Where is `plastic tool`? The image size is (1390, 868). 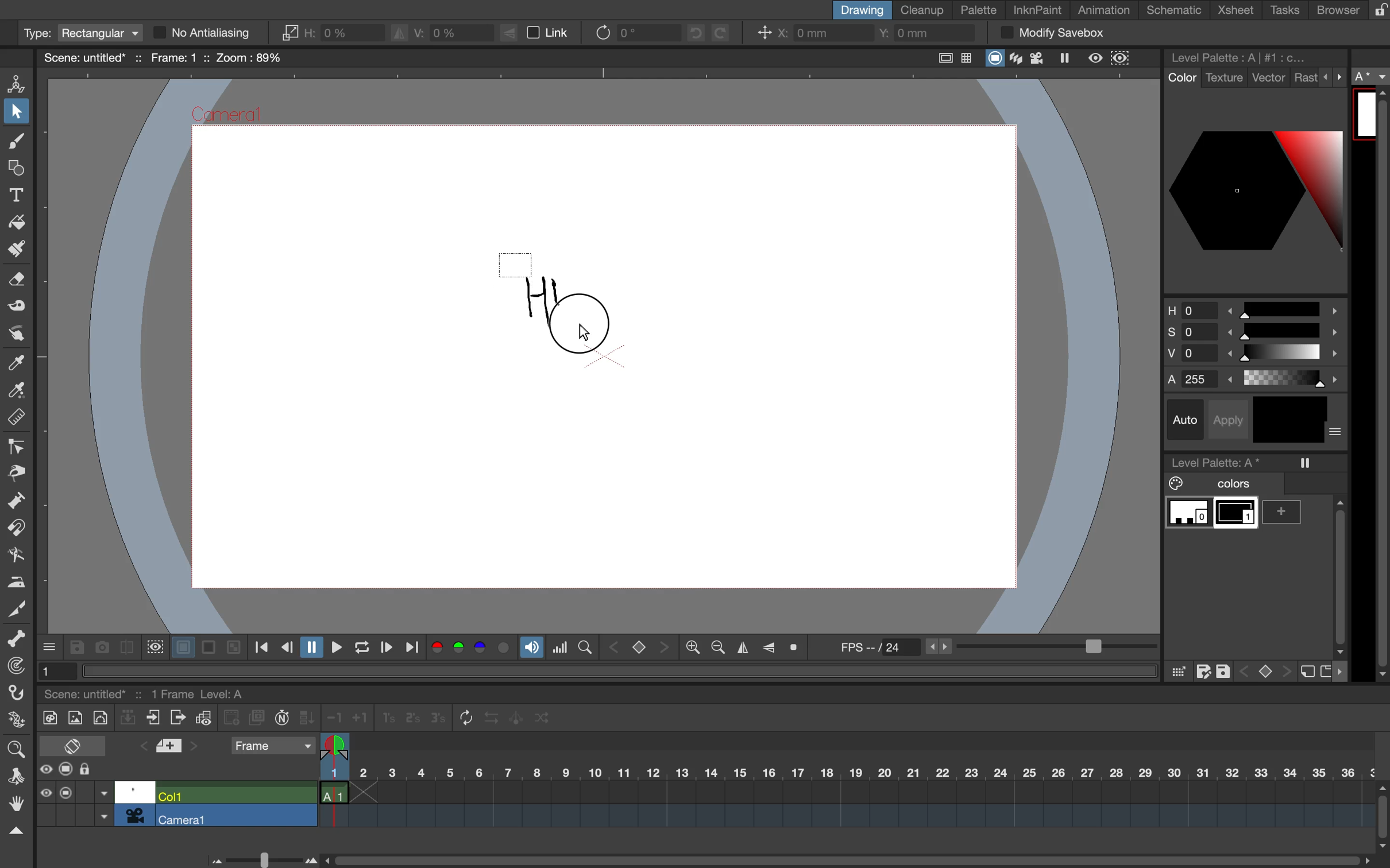 plastic tool is located at coordinates (15, 722).